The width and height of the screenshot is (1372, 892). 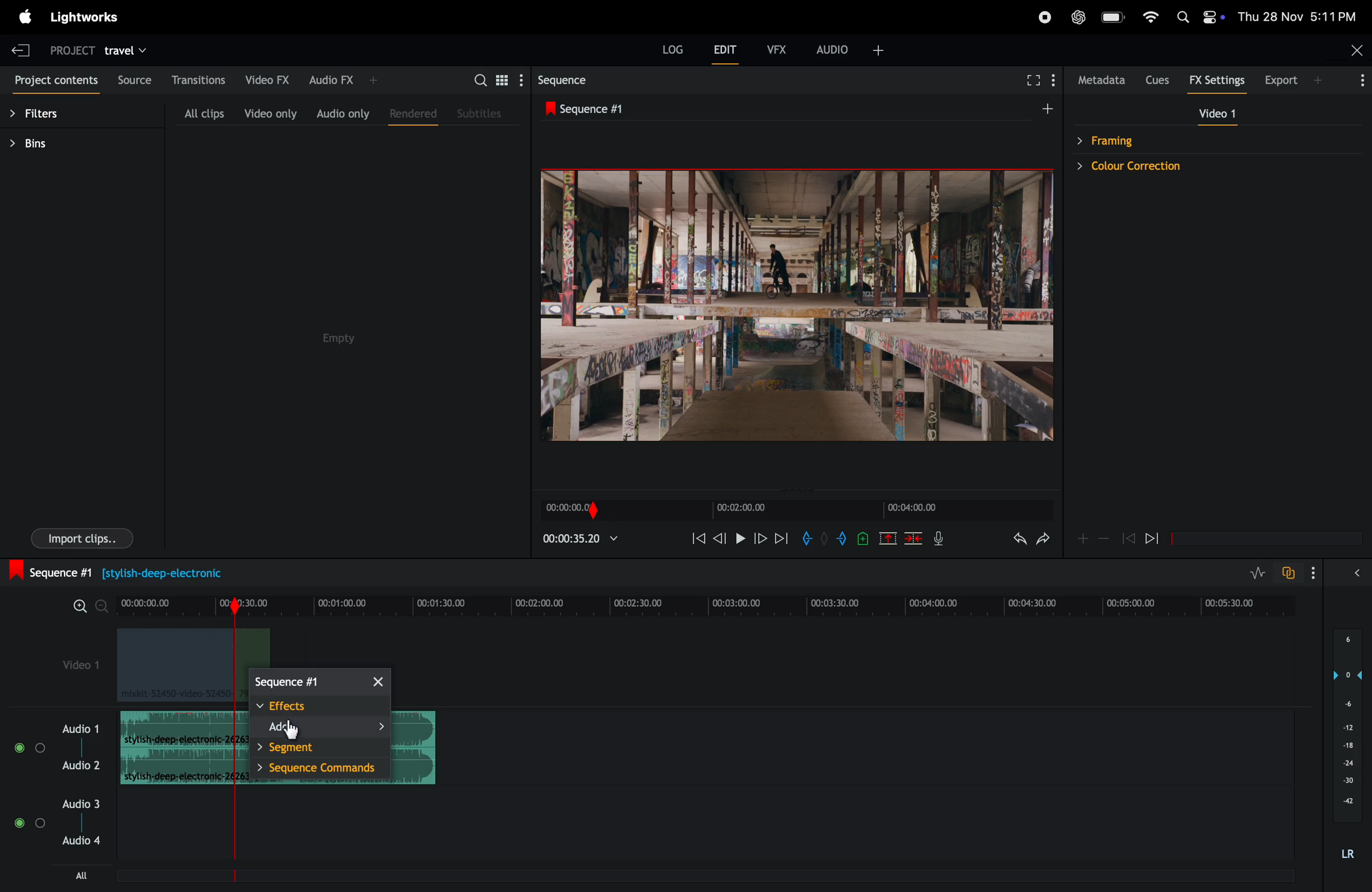 I want to click on Close, so click(x=1355, y=49).